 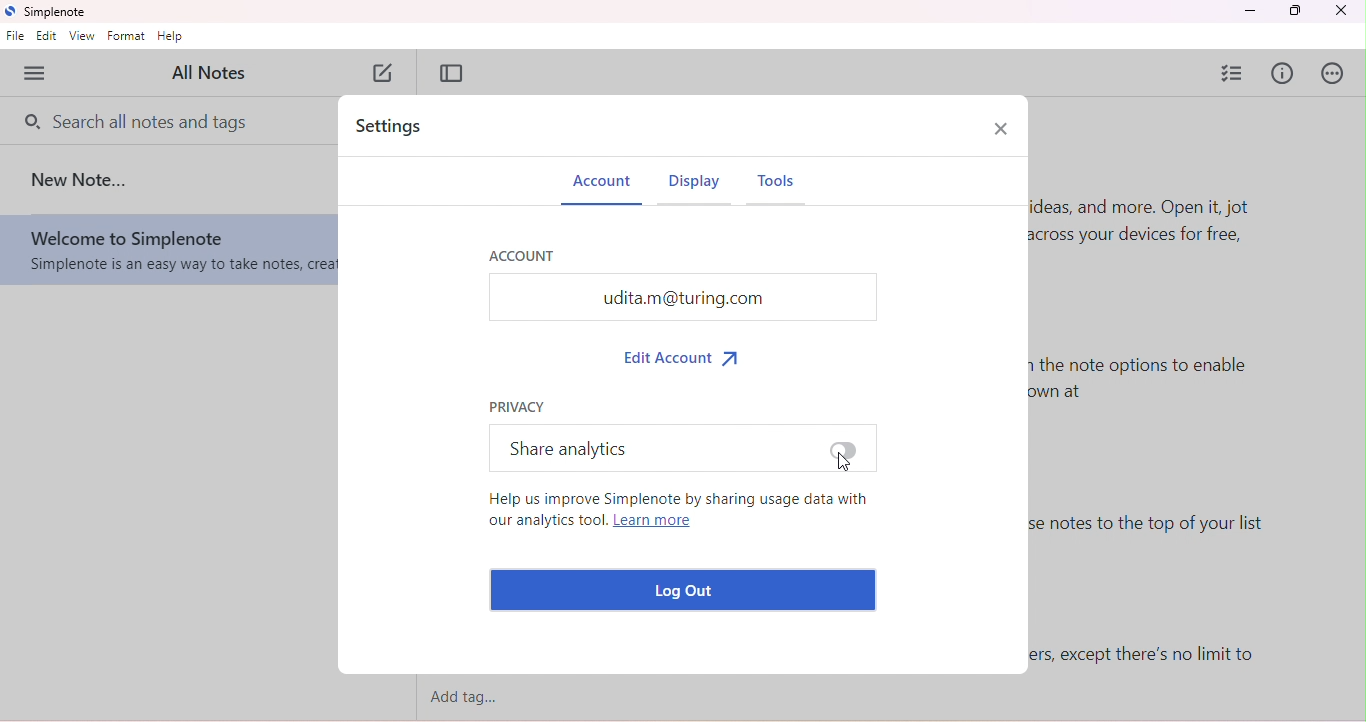 I want to click on settings, so click(x=396, y=128).